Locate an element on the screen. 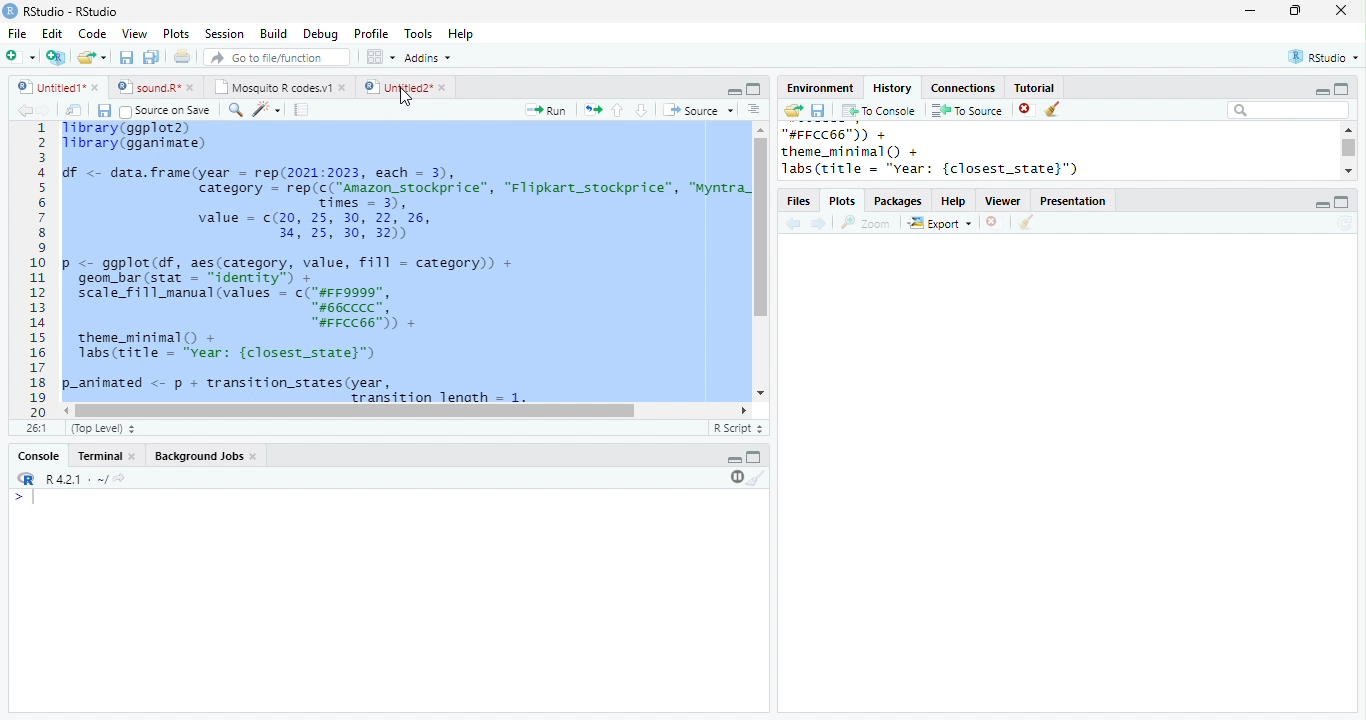 This screenshot has width=1366, height=720. History is located at coordinates (892, 88).